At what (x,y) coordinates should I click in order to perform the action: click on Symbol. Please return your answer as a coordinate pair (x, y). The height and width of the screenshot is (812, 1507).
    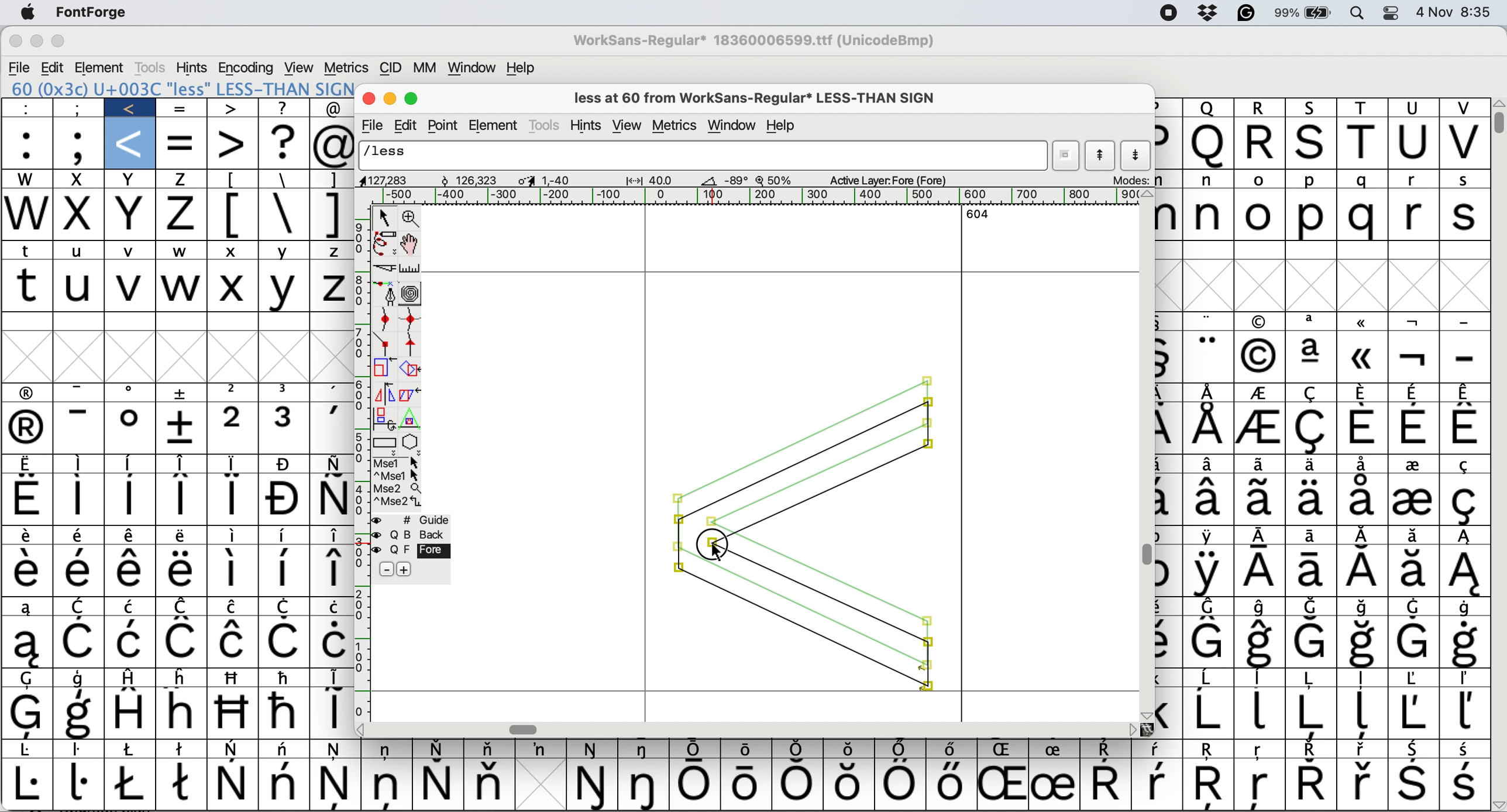
    Looking at the image, I should click on (1363, 321).